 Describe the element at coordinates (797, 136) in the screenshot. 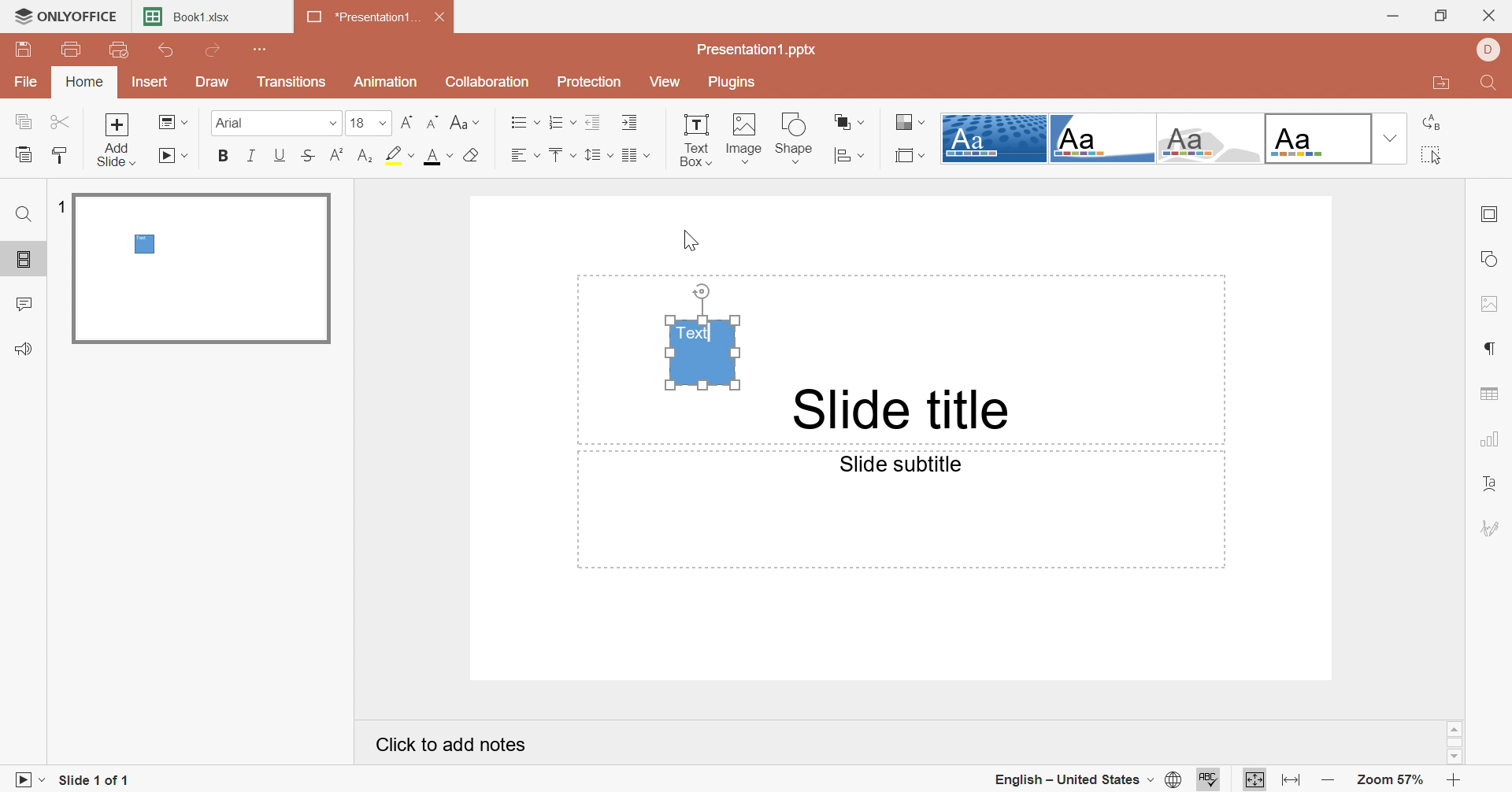

I see `Shape` at that location.